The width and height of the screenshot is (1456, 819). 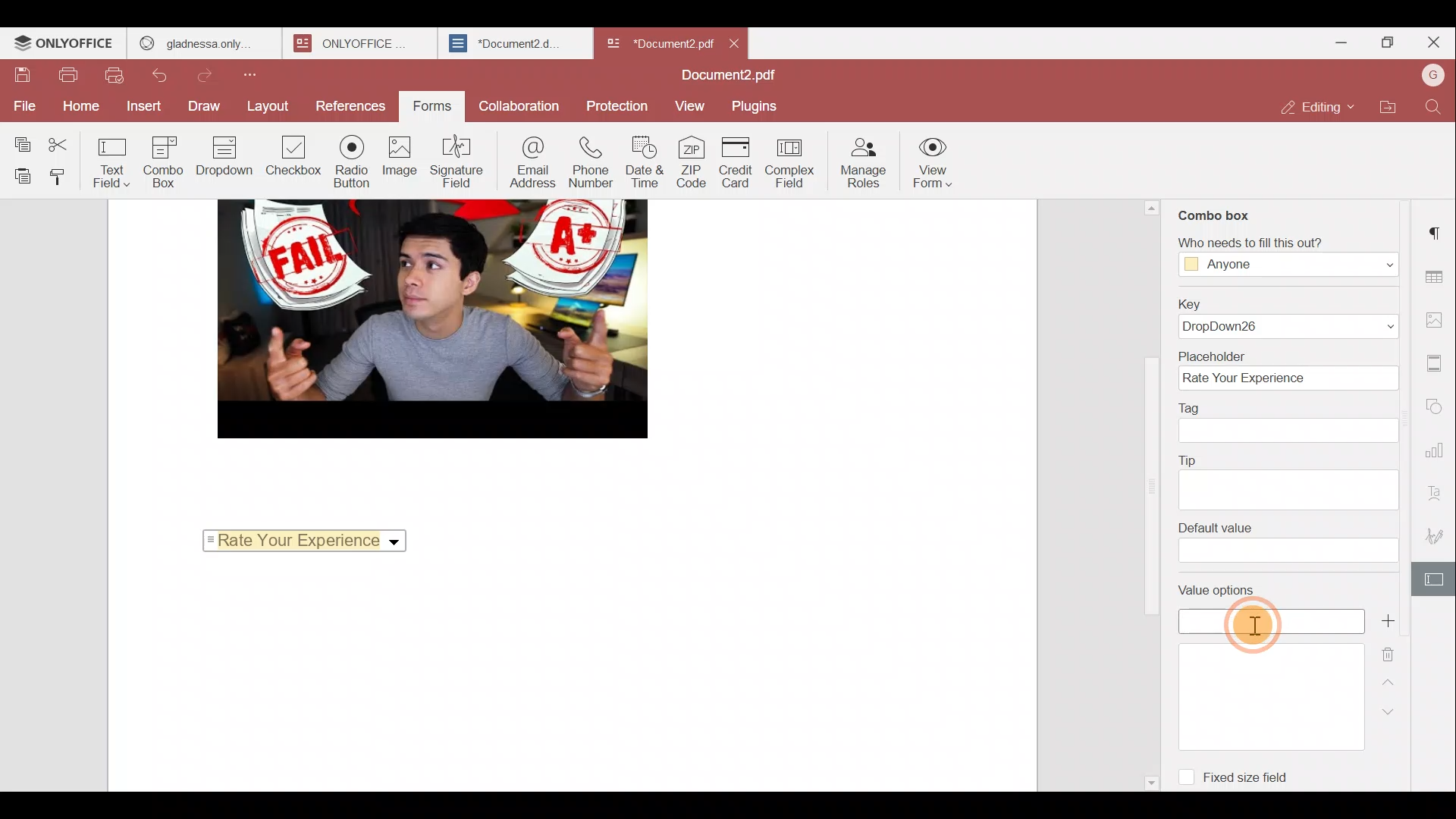 I want to click on Tag, so click(x=1291, y=422).